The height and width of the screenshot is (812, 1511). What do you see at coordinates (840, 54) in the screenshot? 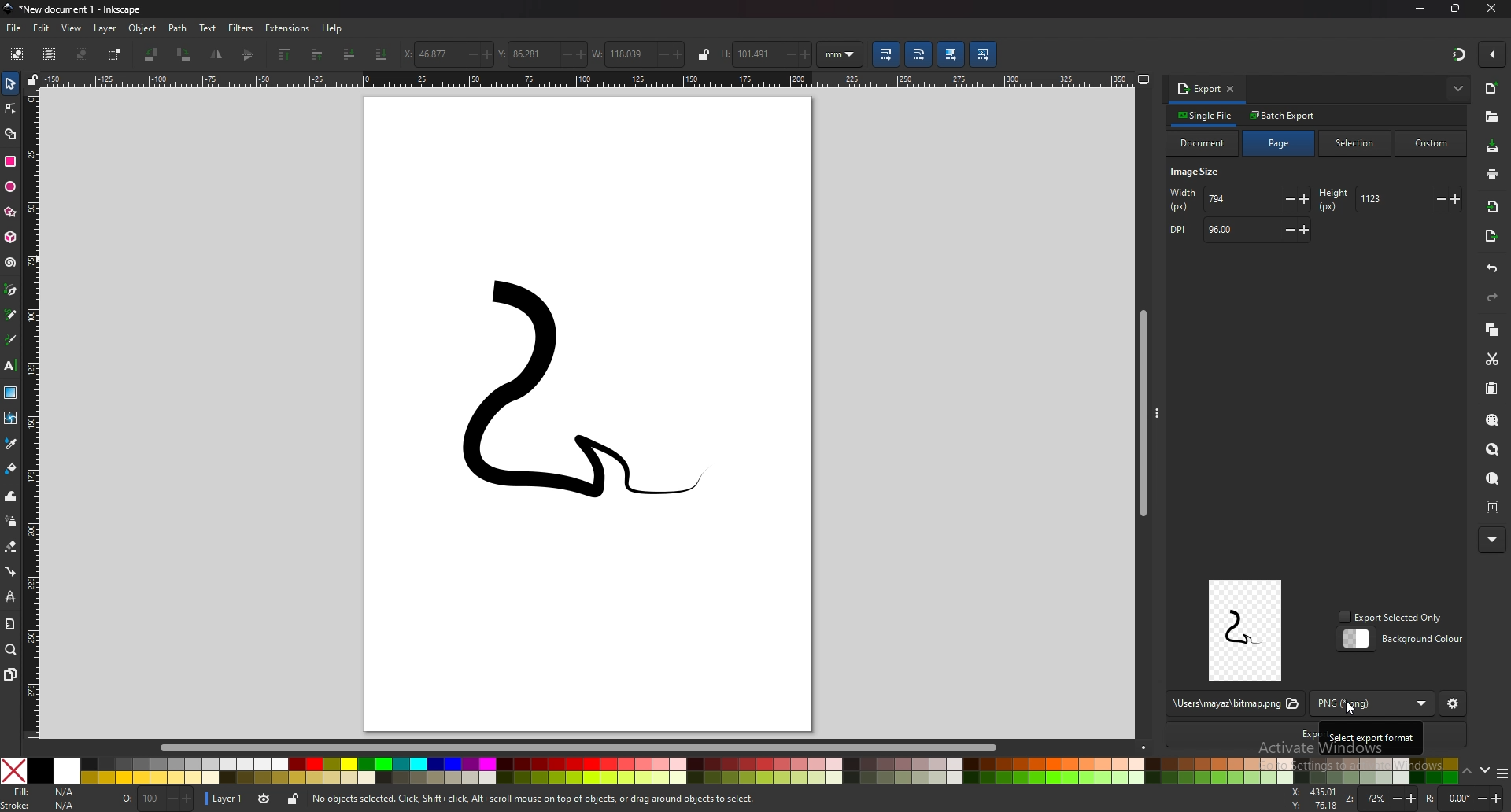
I see `units` at bounding box center [840, 54].